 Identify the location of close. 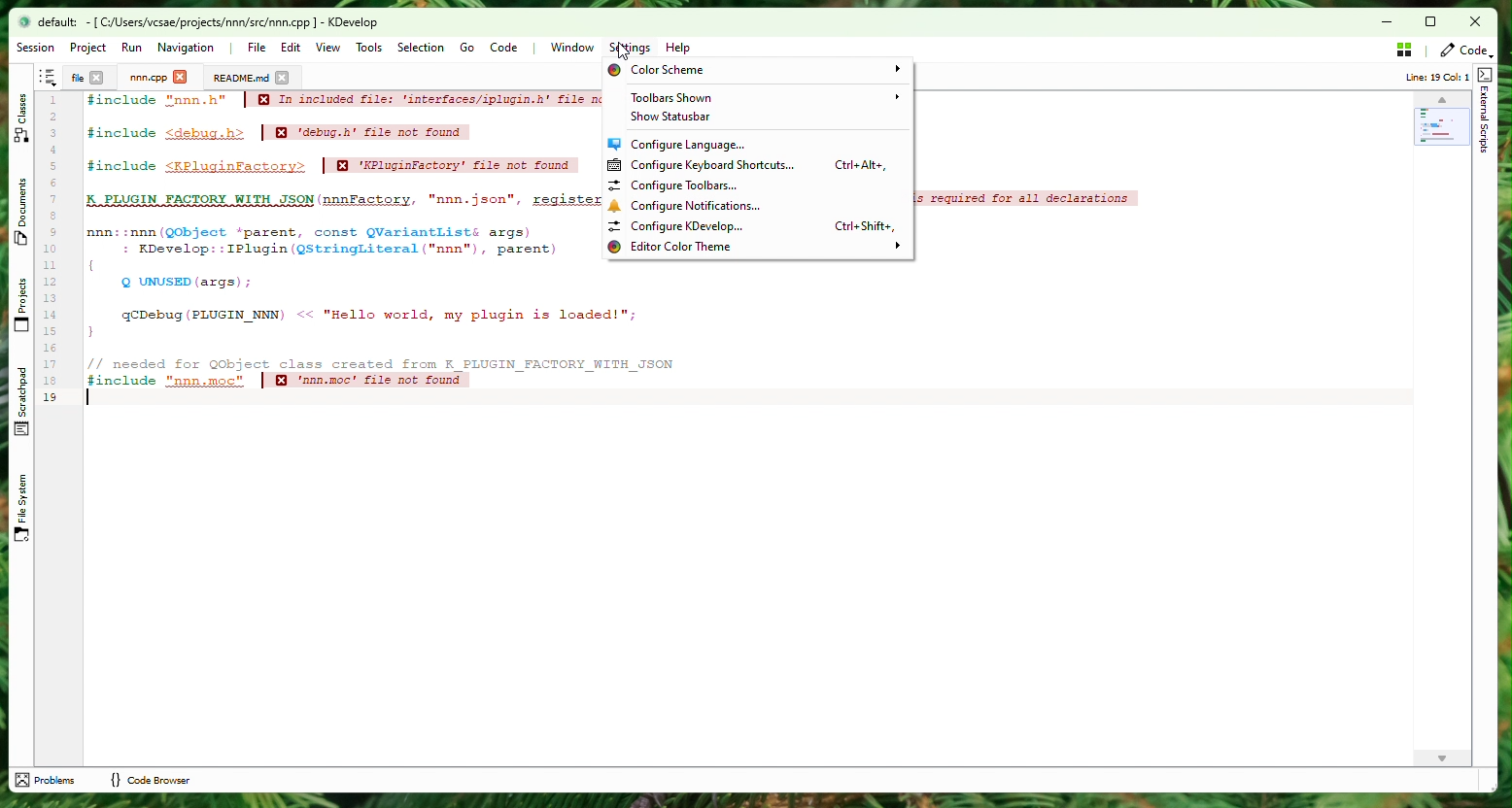
(282, 78).